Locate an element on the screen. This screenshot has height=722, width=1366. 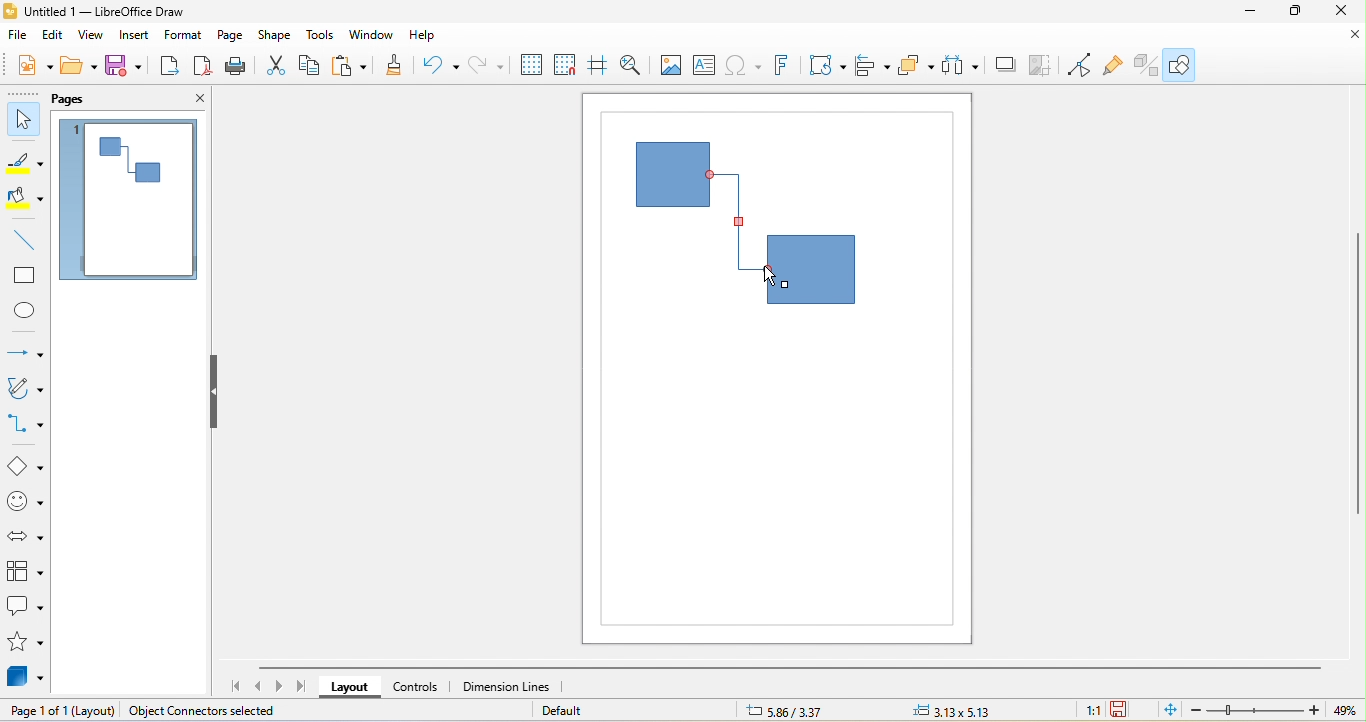
scroll to previous page is located at coordinates (258, 688).